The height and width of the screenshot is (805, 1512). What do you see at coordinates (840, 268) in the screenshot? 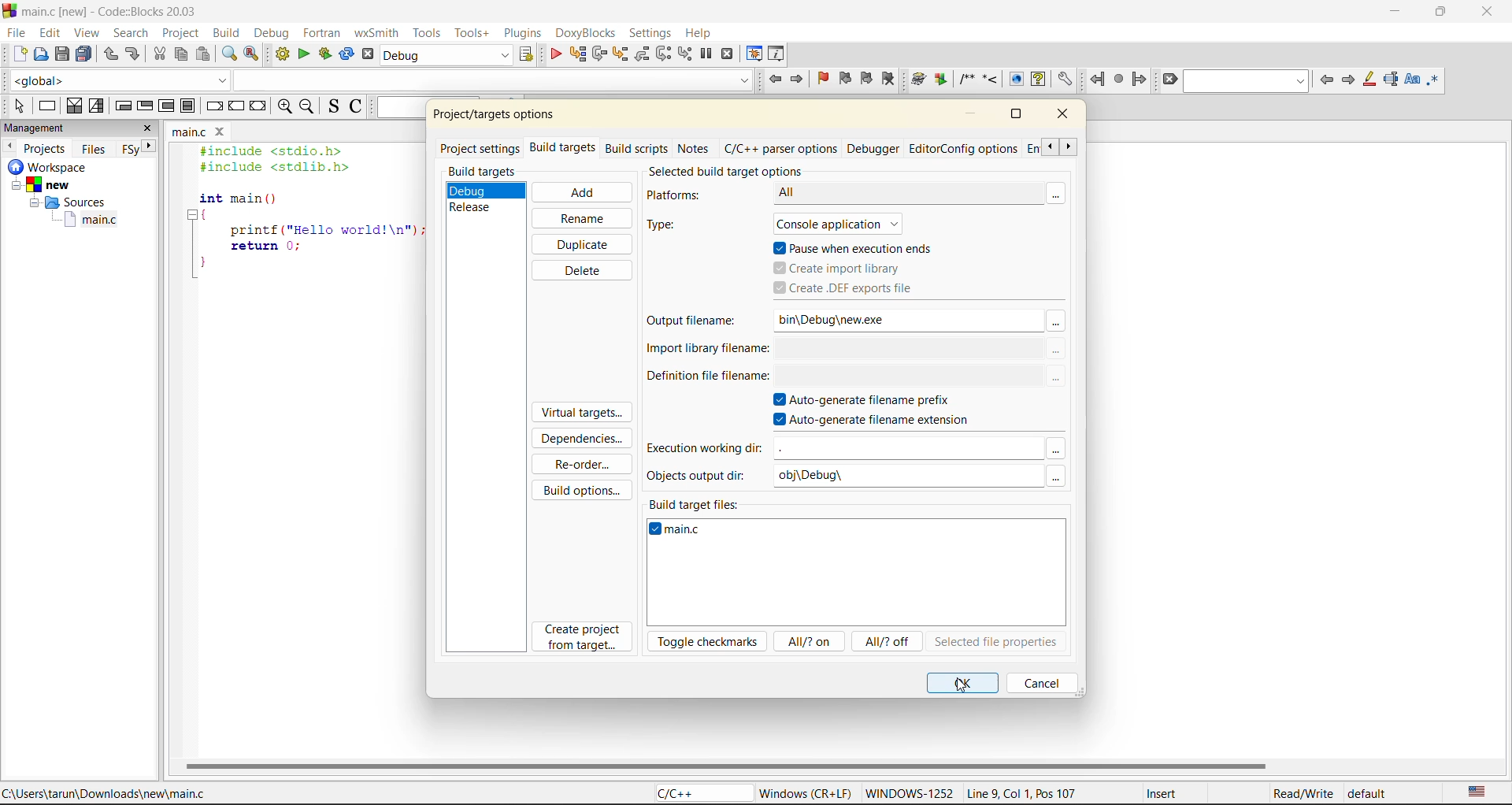
I see `create import library` at bounding box center [840, 268].